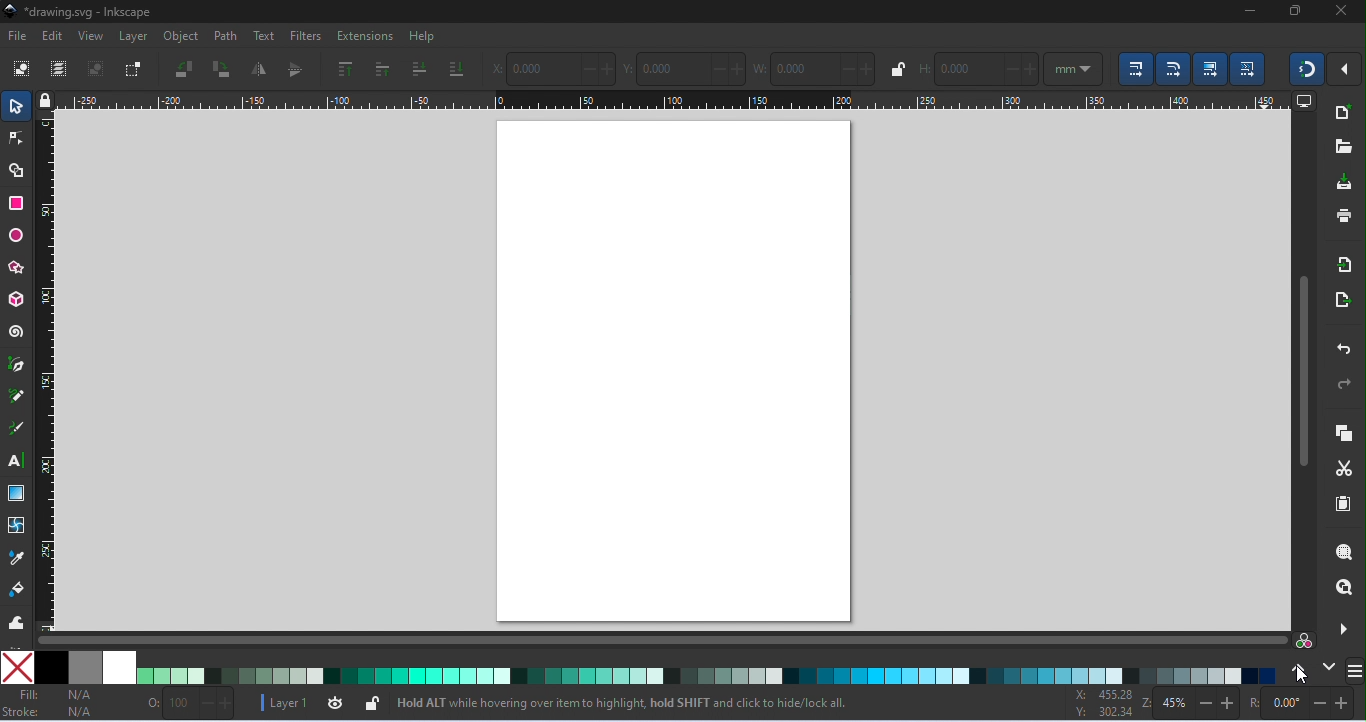  What do you see at coordinates (20, 398) in the screenshot?
I see `pencil` at bounding box center [20, 398].